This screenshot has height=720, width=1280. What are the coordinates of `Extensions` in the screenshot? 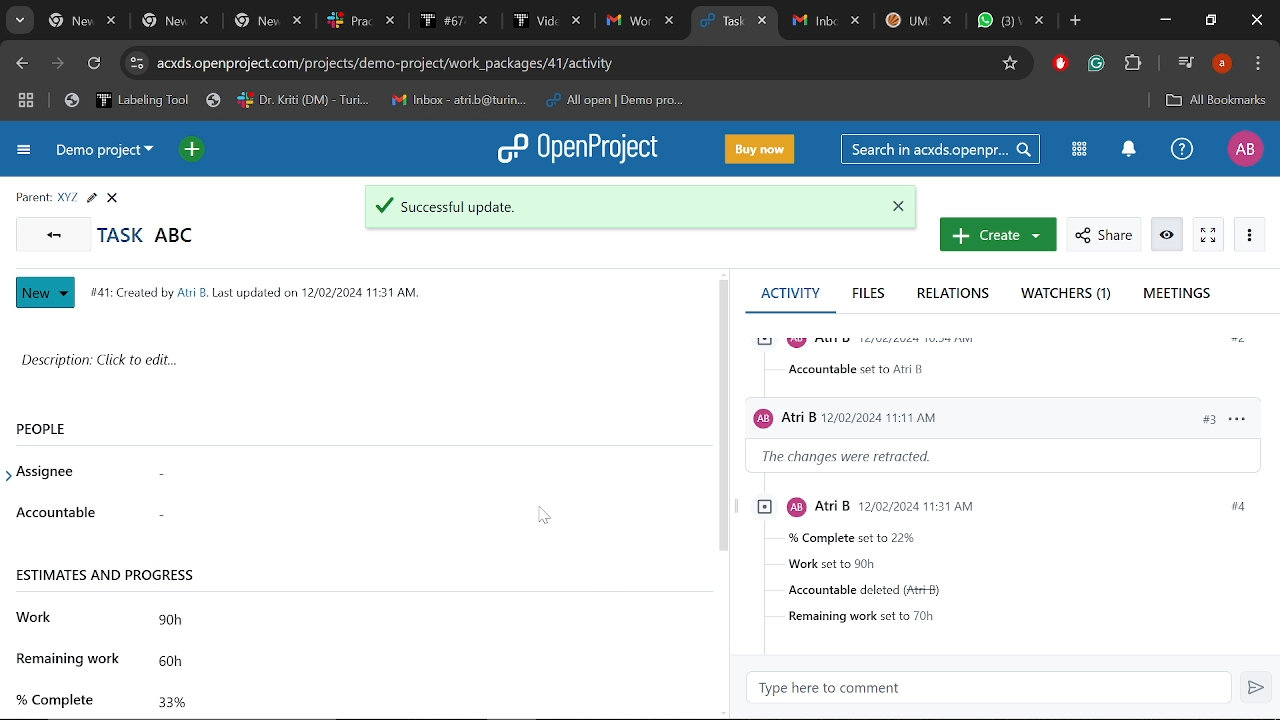 It's located at (1135, 64).